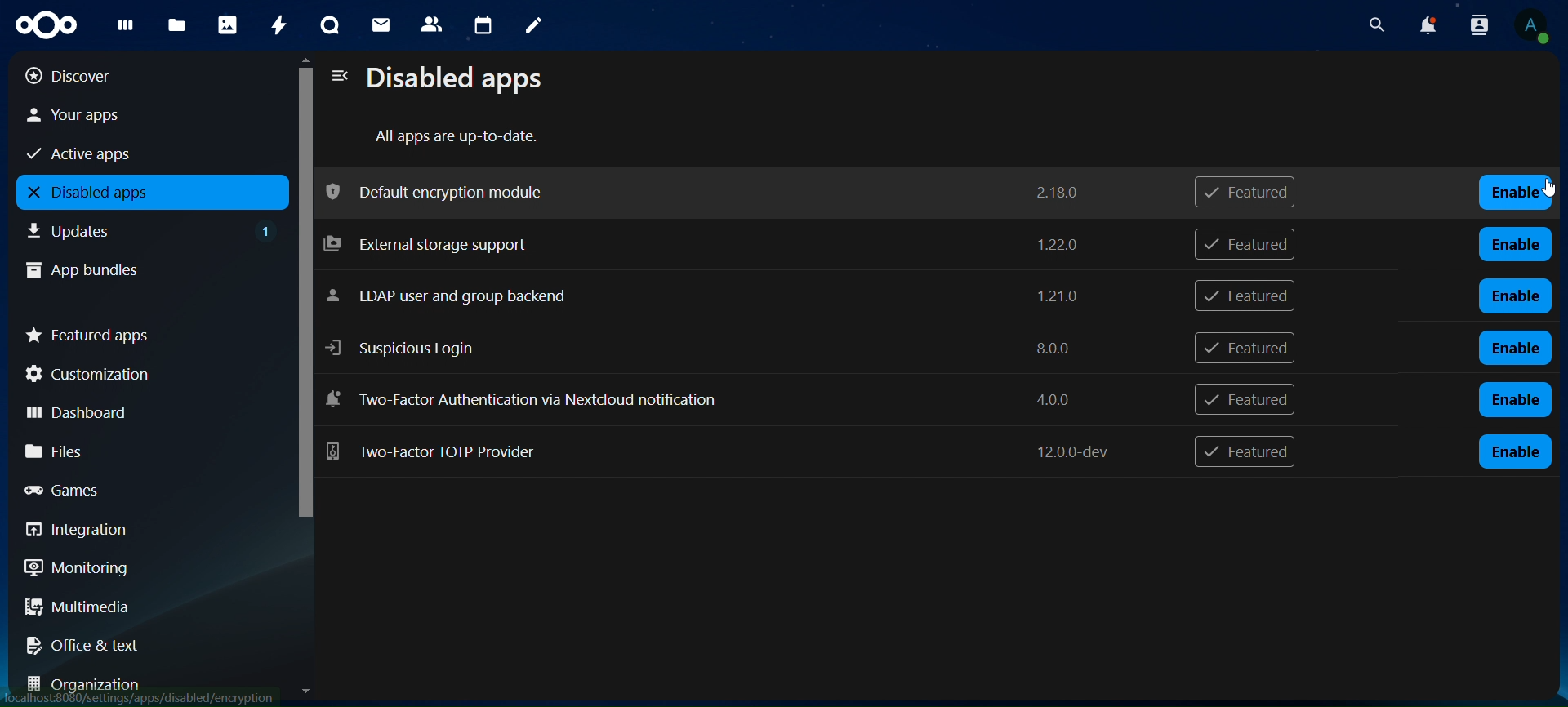  Describe the element at coordinates (131, 75) in the screenshot. I see `discover` at that location.